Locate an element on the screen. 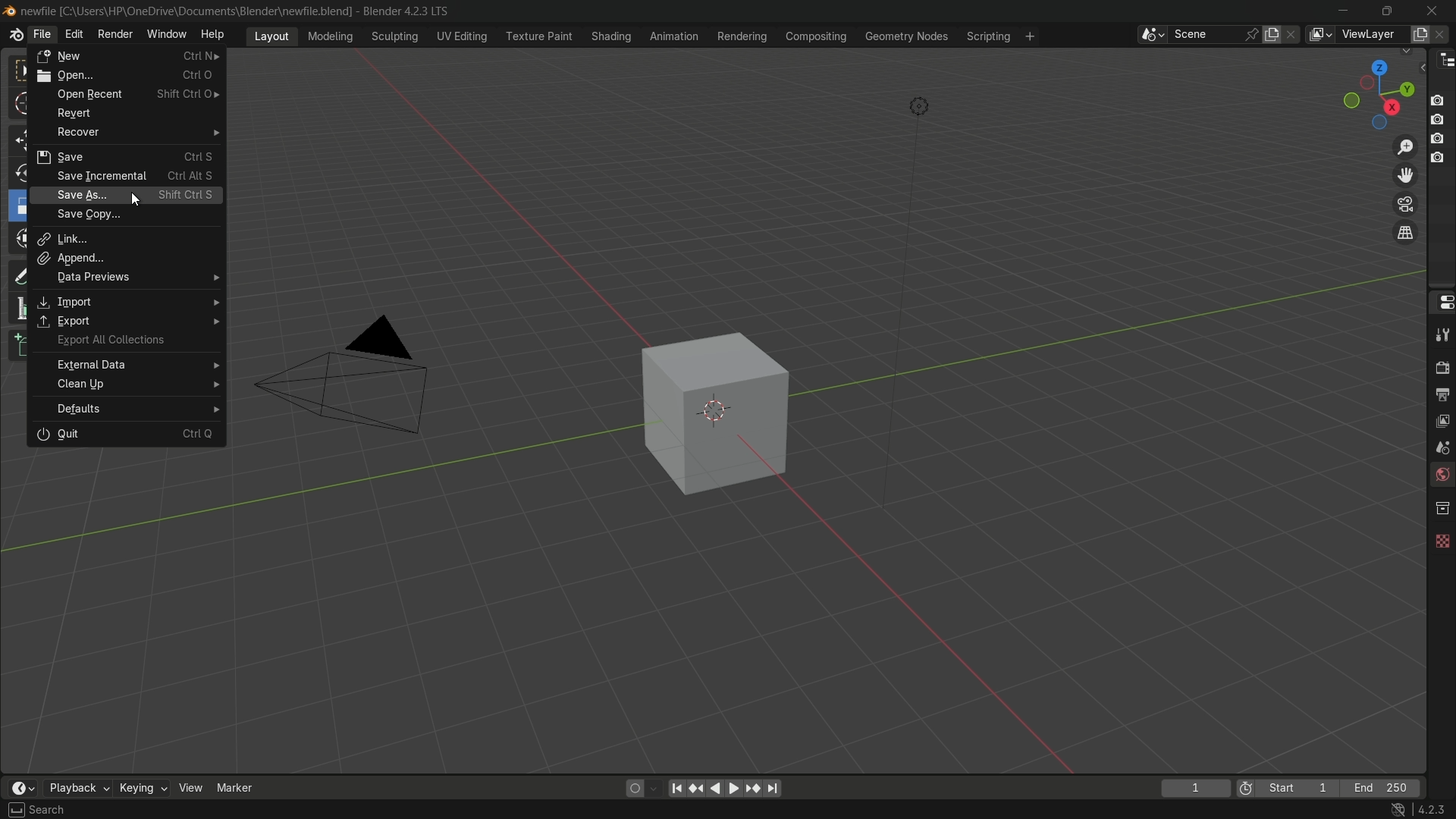 This screenshot has height=819, width=1456. zoom in/out is located at coordinates (1406, 145).